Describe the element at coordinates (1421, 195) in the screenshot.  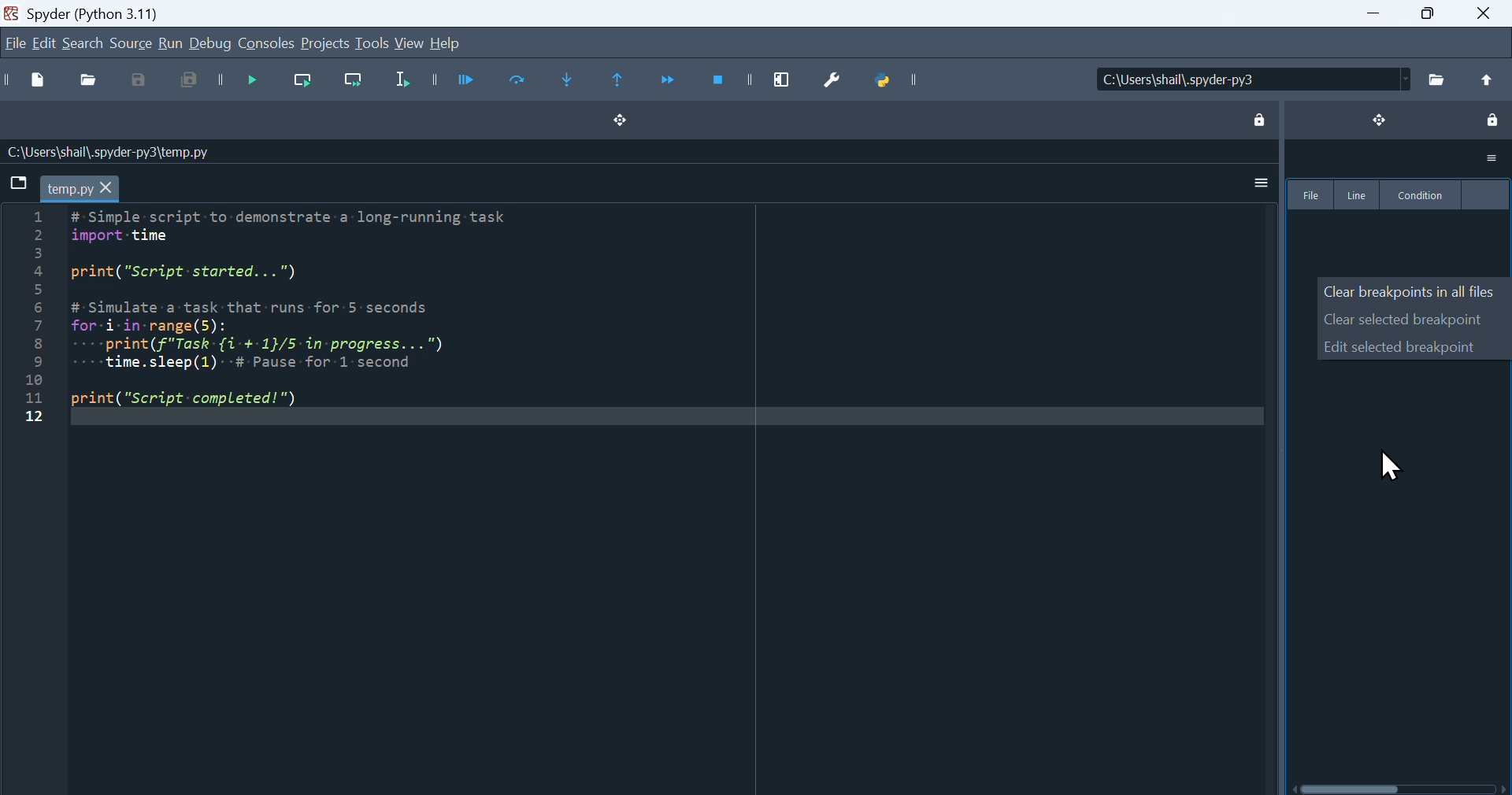
I see `Condition` at that location.